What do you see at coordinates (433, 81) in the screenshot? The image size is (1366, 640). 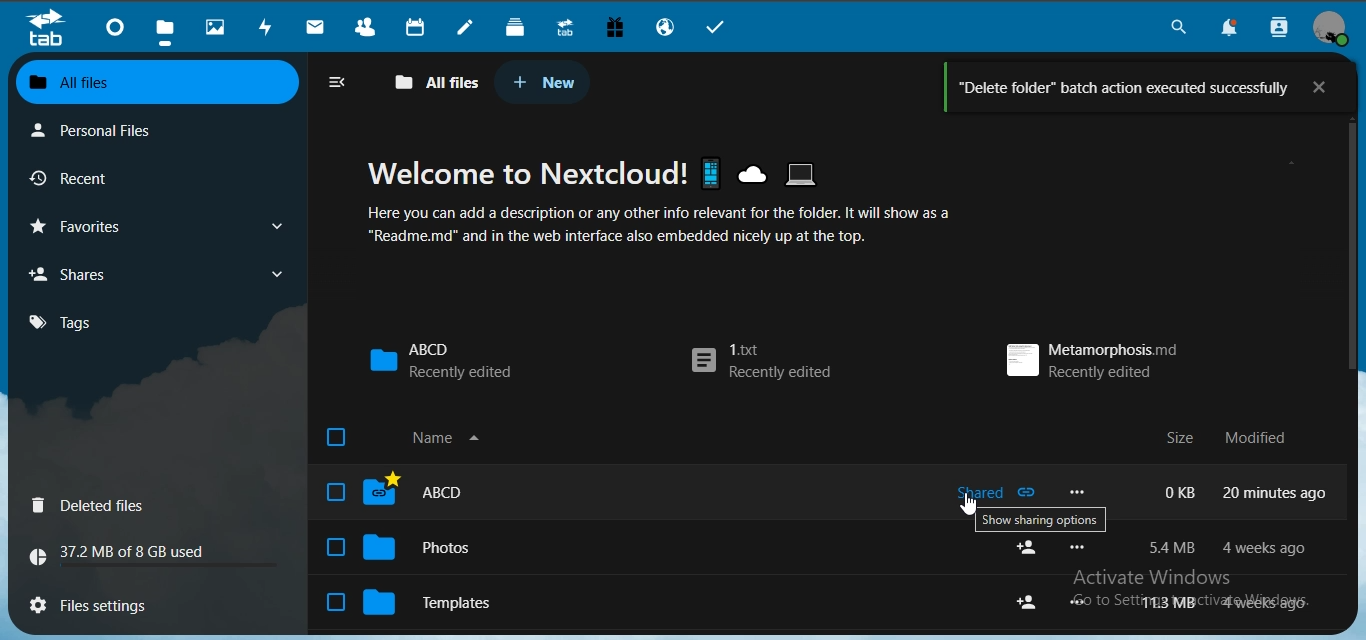 I see `all files` at bounding box center [433, 81].